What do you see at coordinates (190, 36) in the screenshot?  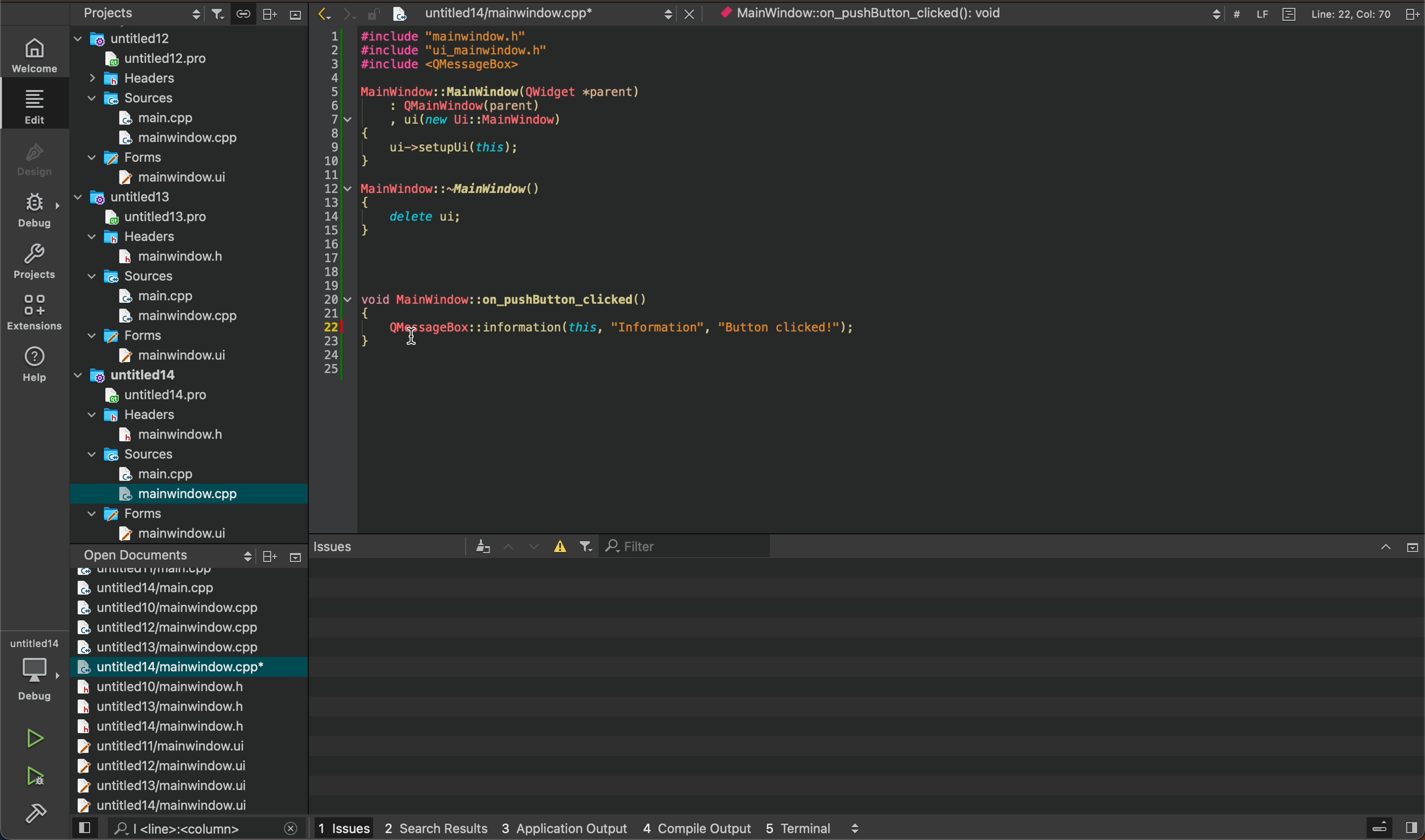 I see `untitled12` at bounding box center [190, 36].